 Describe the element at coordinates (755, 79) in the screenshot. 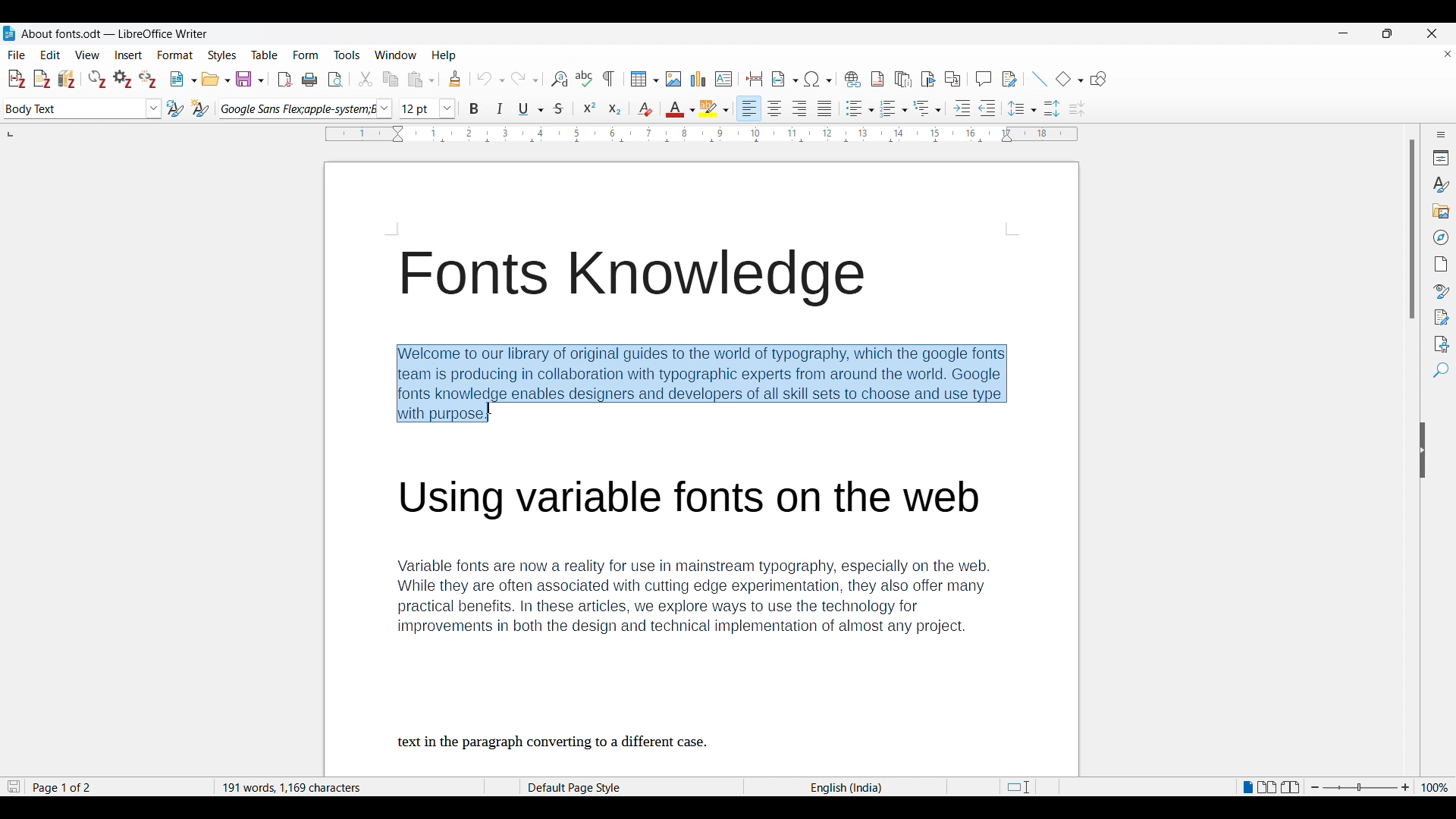

I see `Insert page break` at that location.